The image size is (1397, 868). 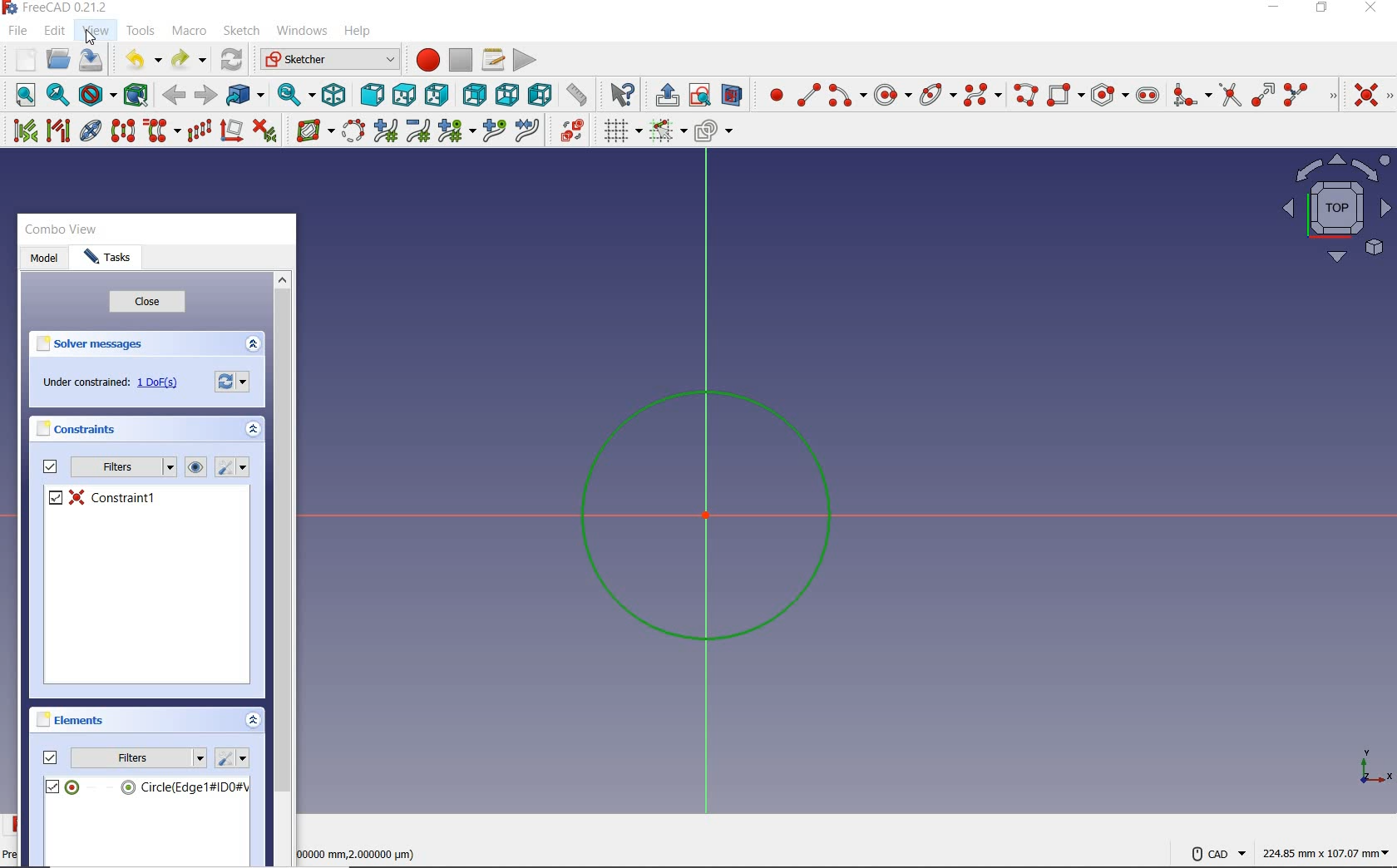 I want to click on close, so click(x=148, y=302).